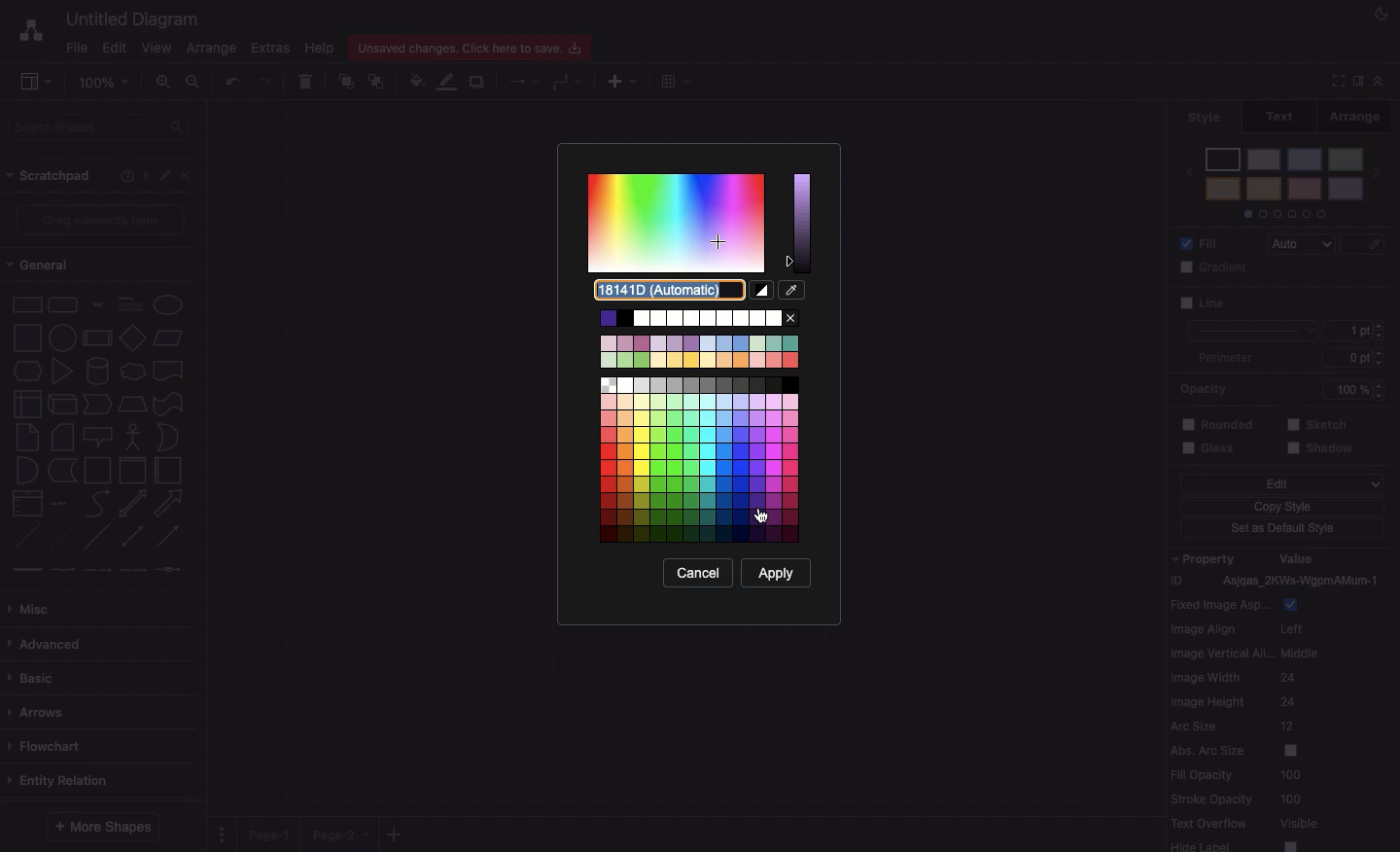 The height and width of the screenshot is (852, 1400). What do you see at coordinates (697, 223) in the screenshot?
I see `Palette ` at bounding box center [697, 223].